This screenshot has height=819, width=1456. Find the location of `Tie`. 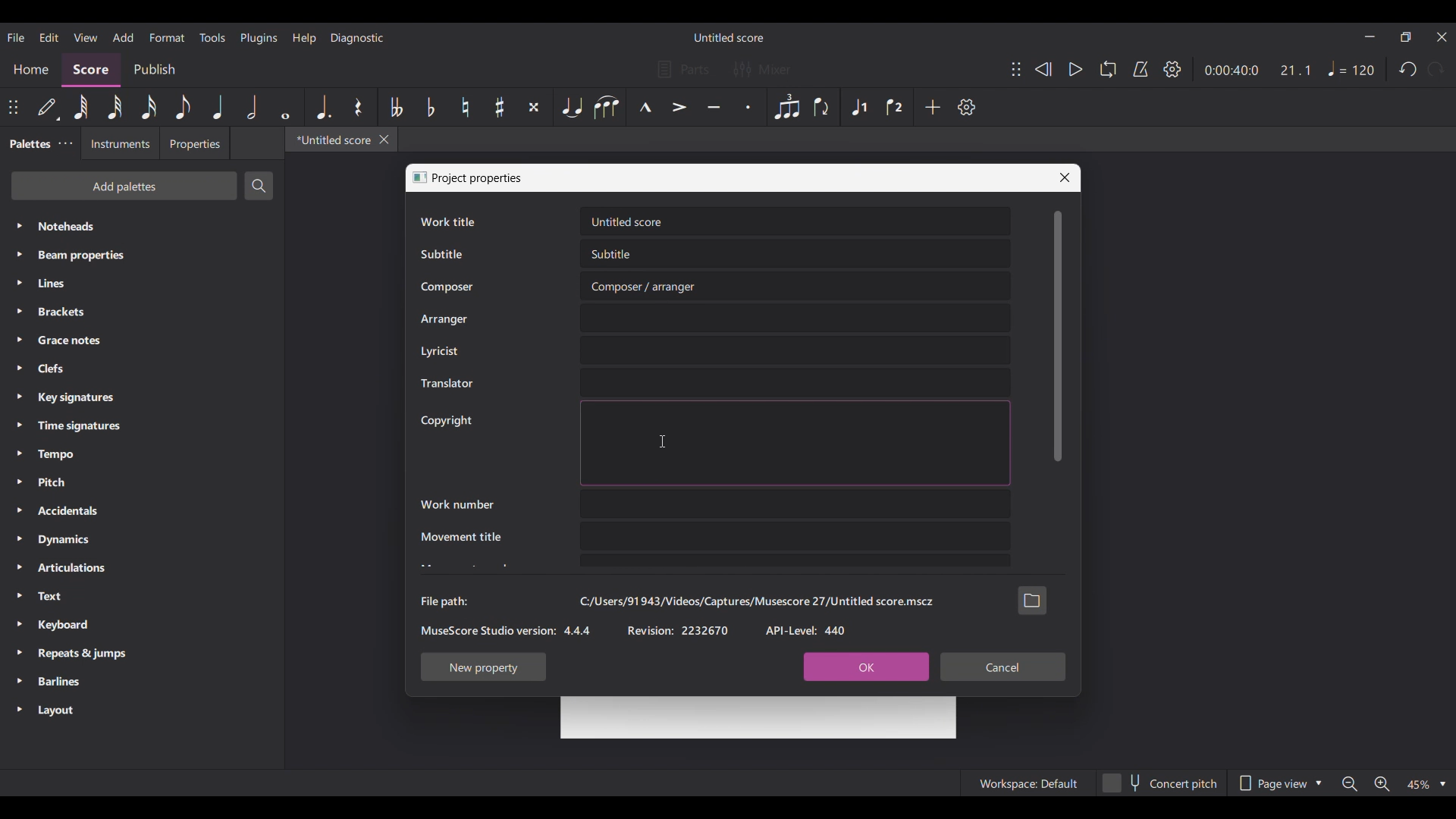

Tie is located at coordinates (571, 107).